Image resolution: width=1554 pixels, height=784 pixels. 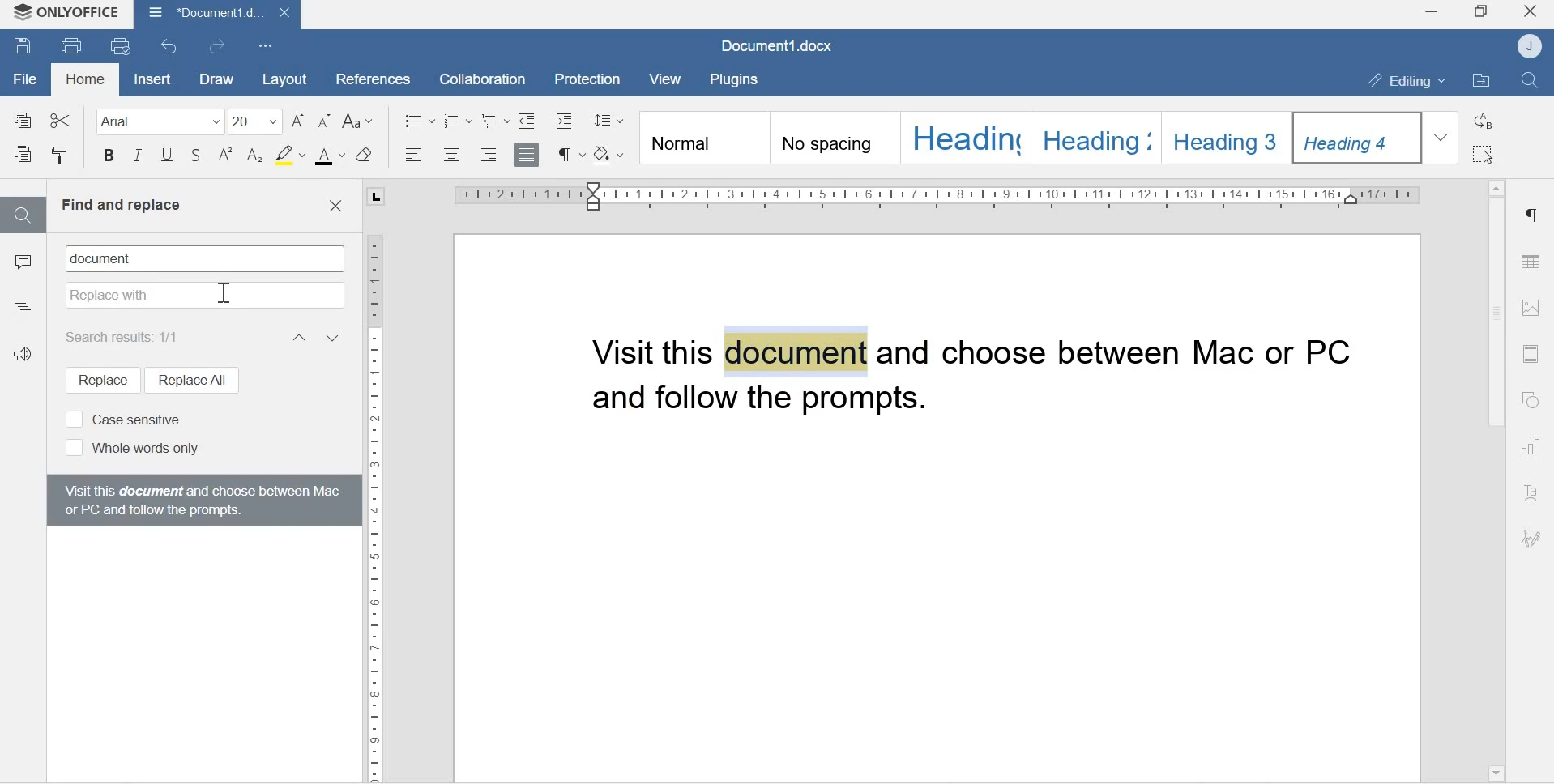 What do you see at coordinates (109, 158) in the screenshot?
I see `Bold` at bounding box center [109, 158].